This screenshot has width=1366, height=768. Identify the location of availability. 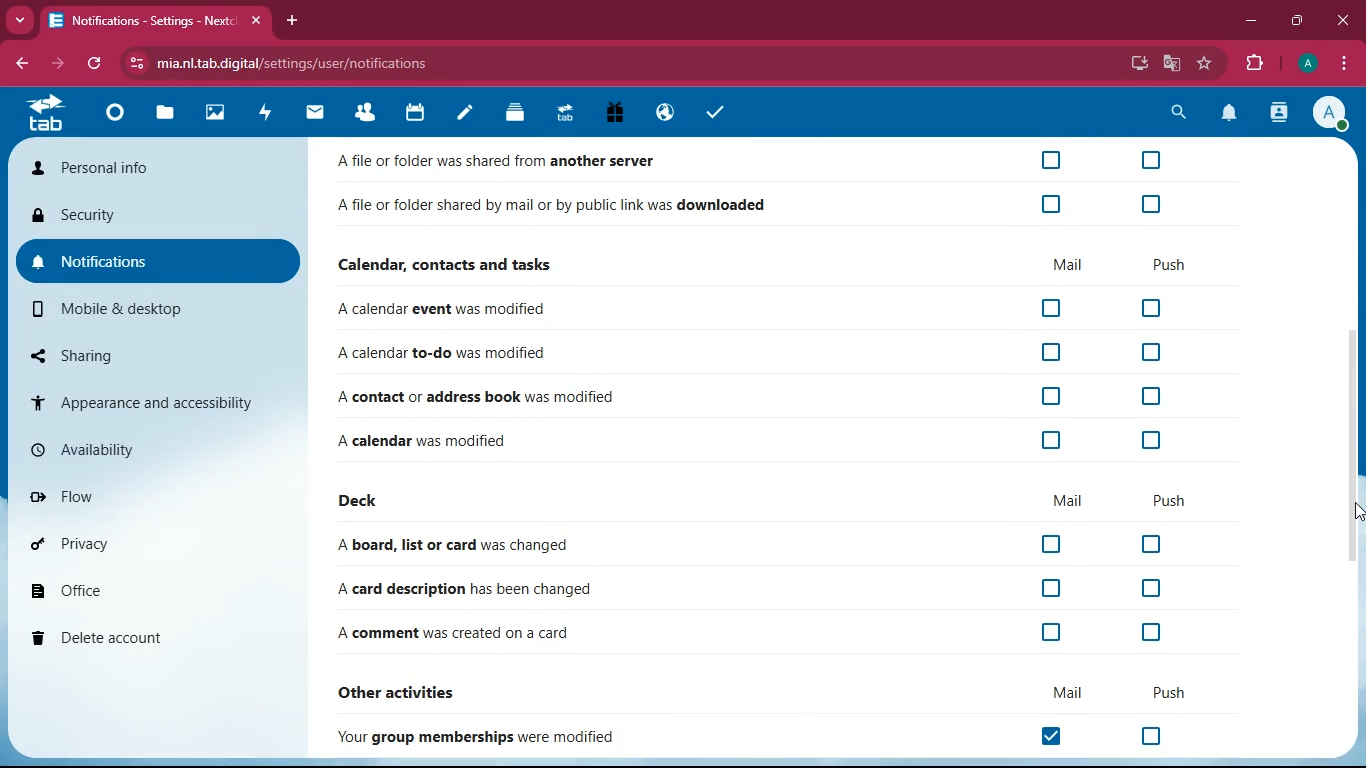
(155, 449).